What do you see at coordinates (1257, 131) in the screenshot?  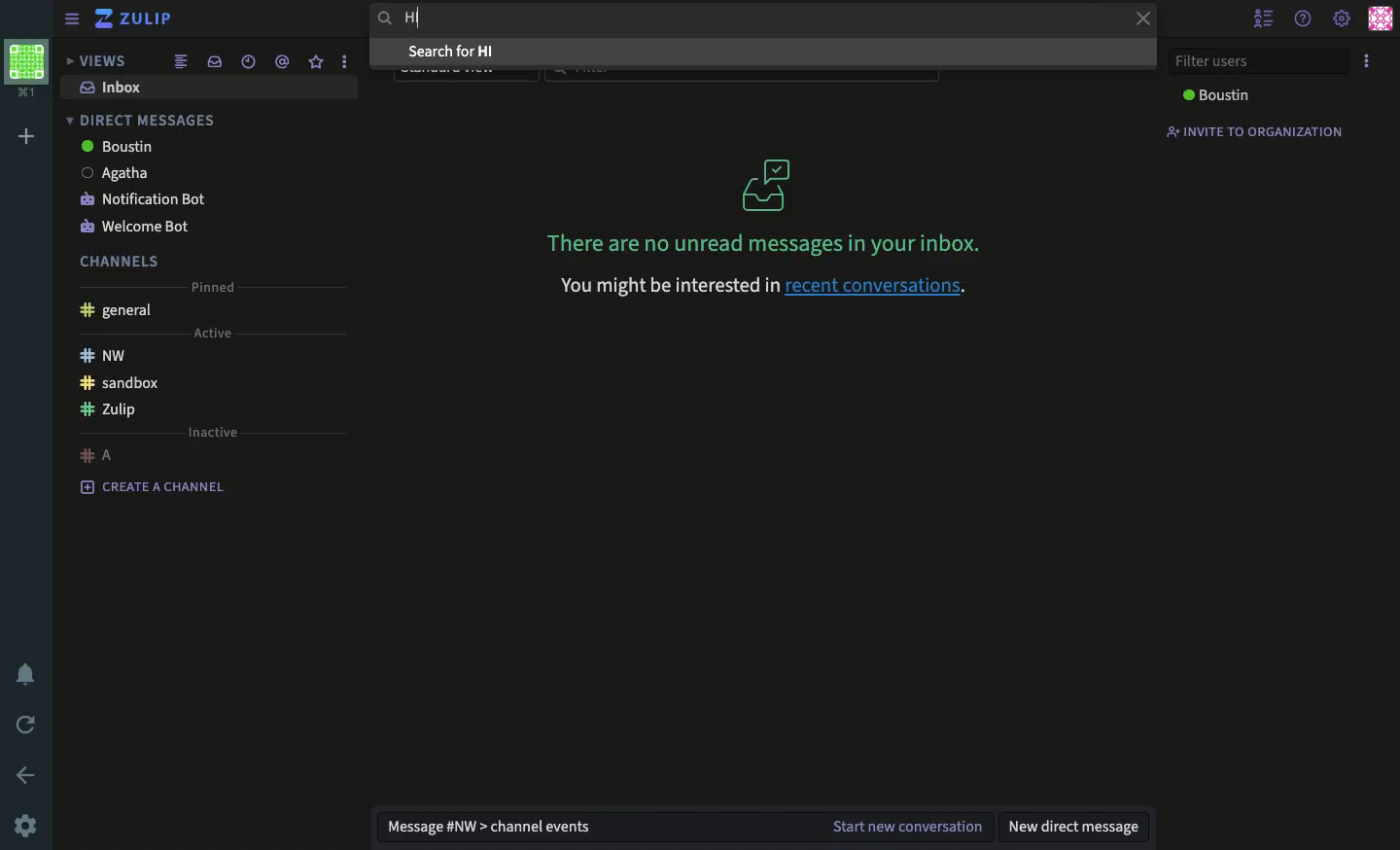 I see `invite to organization` at bounding box center [1257, 131].